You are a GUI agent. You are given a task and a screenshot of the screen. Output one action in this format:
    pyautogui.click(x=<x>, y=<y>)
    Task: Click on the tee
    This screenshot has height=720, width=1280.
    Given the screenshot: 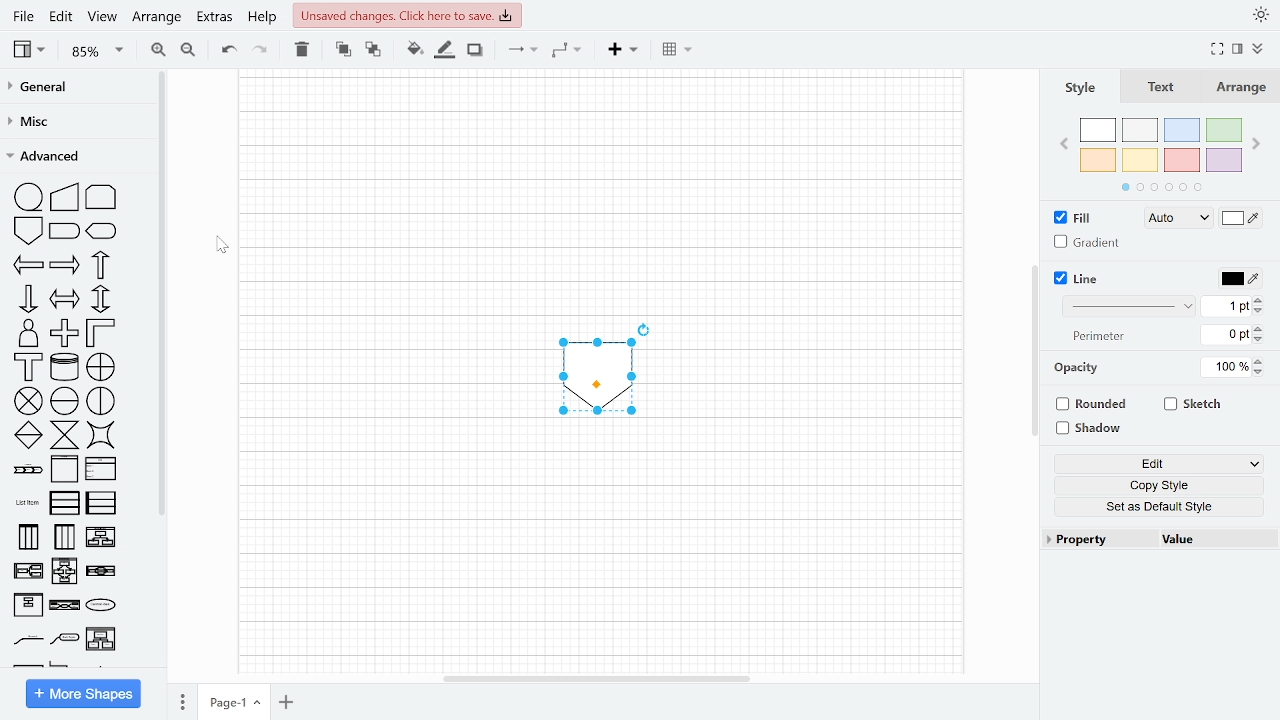 What is the action you would take?
    pyautogui.click(x=29, y=367)
    